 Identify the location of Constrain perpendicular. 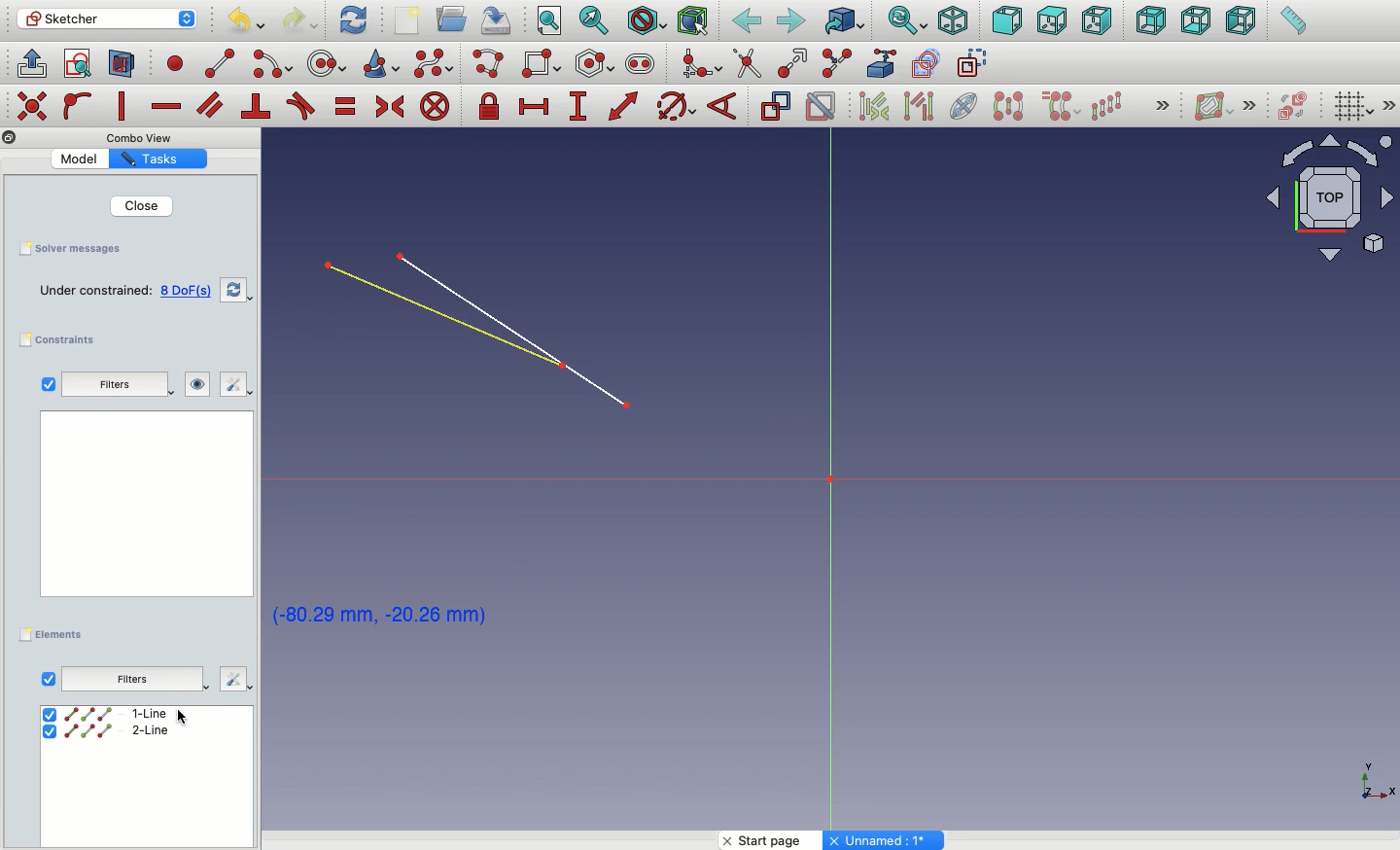
(257, 107).